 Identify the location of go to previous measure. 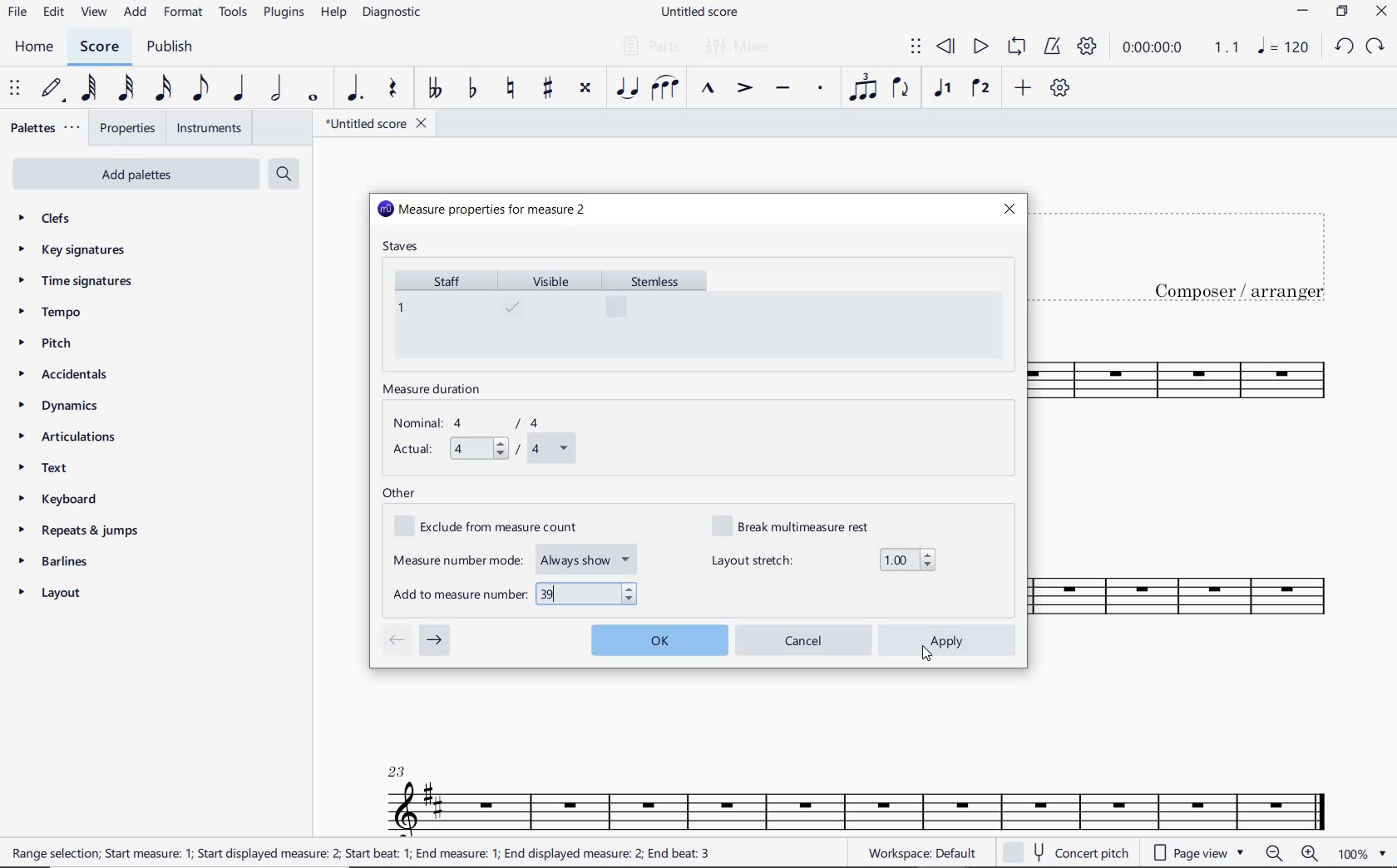
(396, 641).